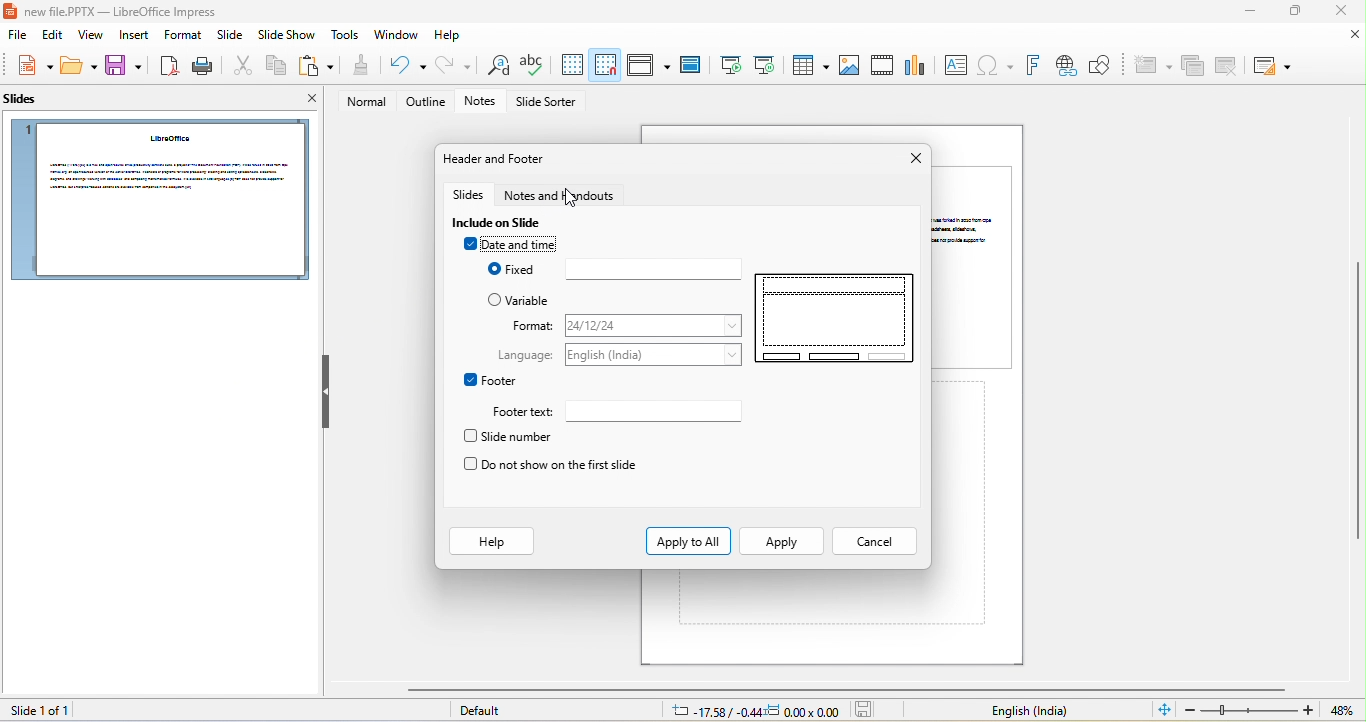 This screenshot has width=1366, height=722. I want to click on spelling, so click(532, 66).